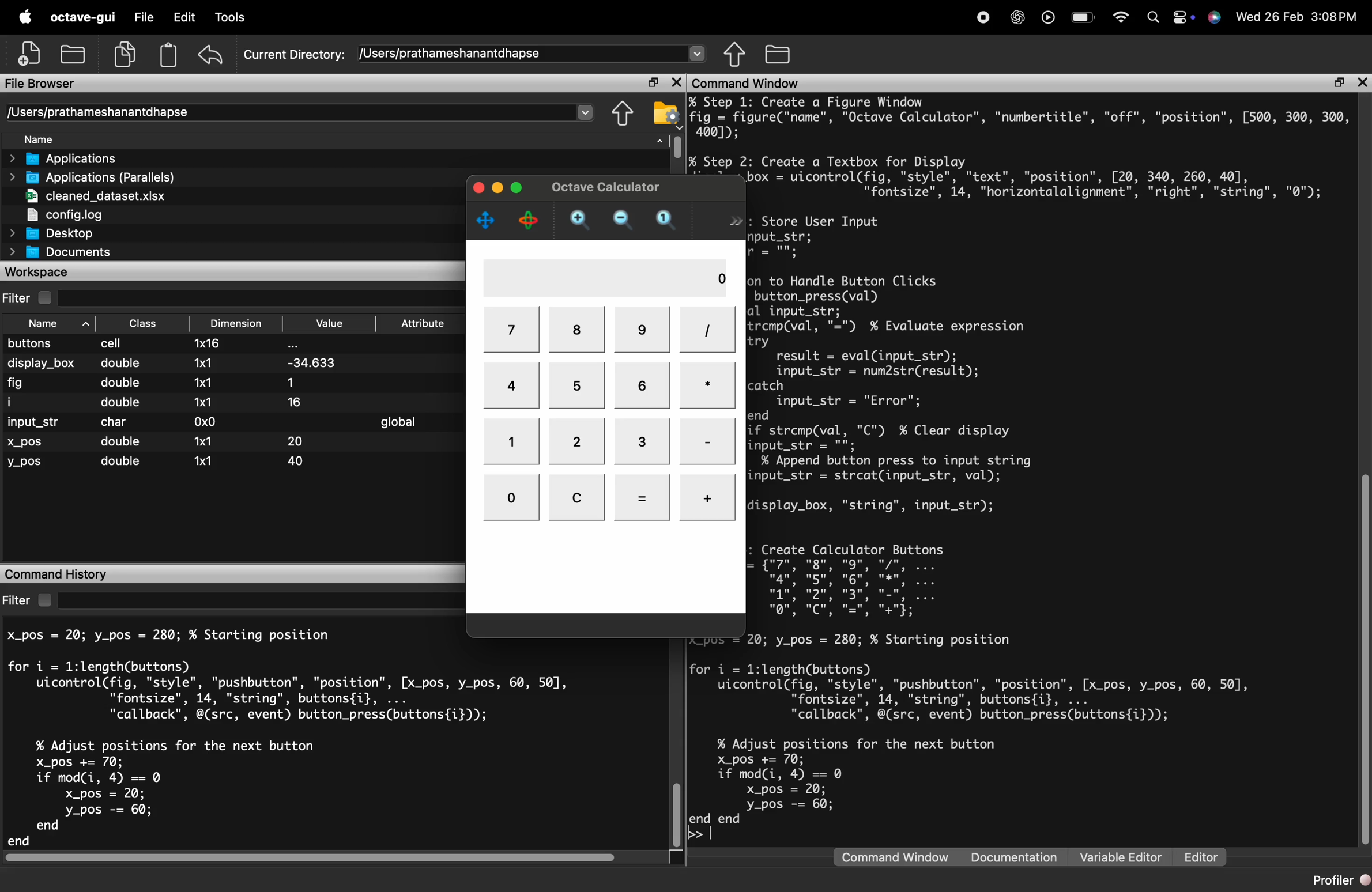 The width and height of the screenshot is (1372, 892). Describe the element at coordinates (144, 326) in the screenshot. I see `Class` at that location.